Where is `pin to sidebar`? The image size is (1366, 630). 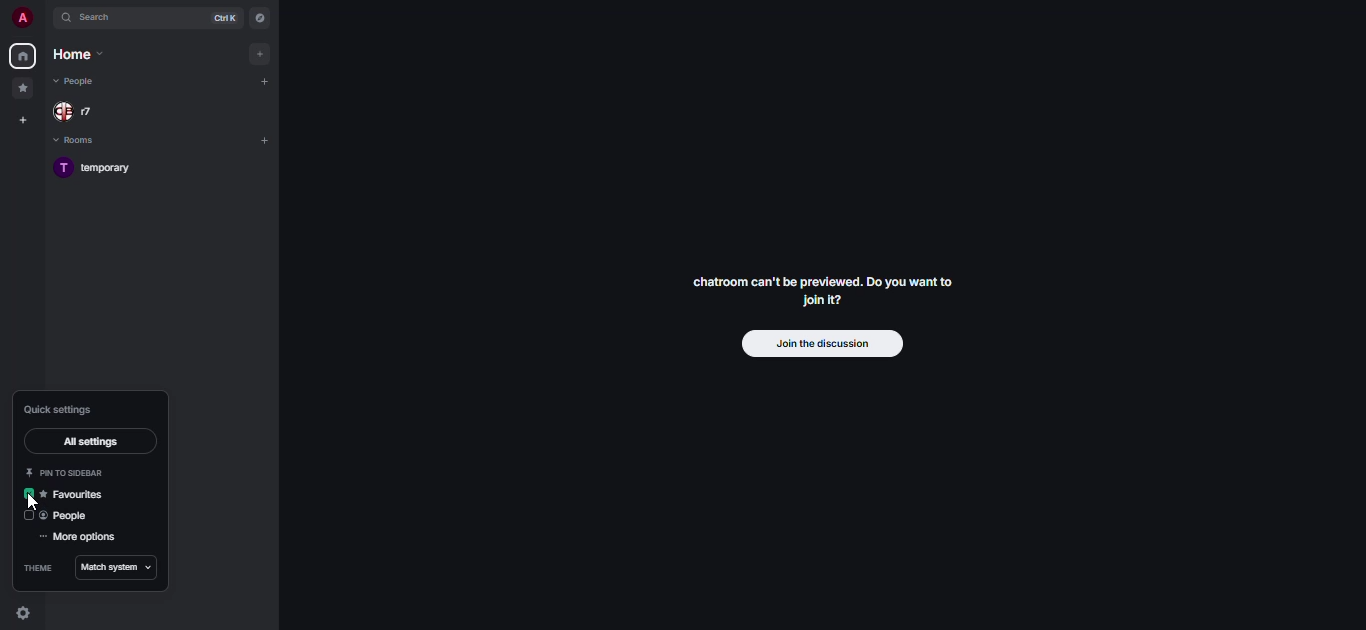
pin to sidebar is located at coordinates (67, 472).